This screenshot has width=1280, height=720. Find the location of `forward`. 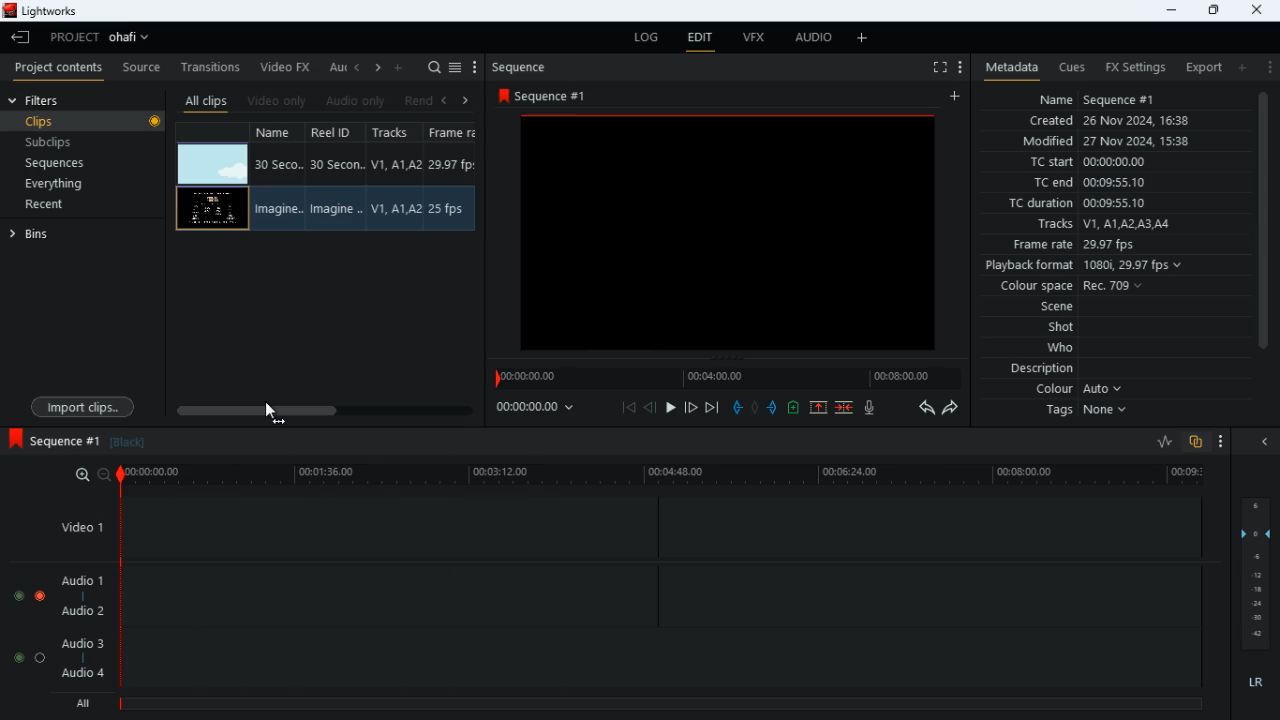

forward is located at coordinates (689, 407).